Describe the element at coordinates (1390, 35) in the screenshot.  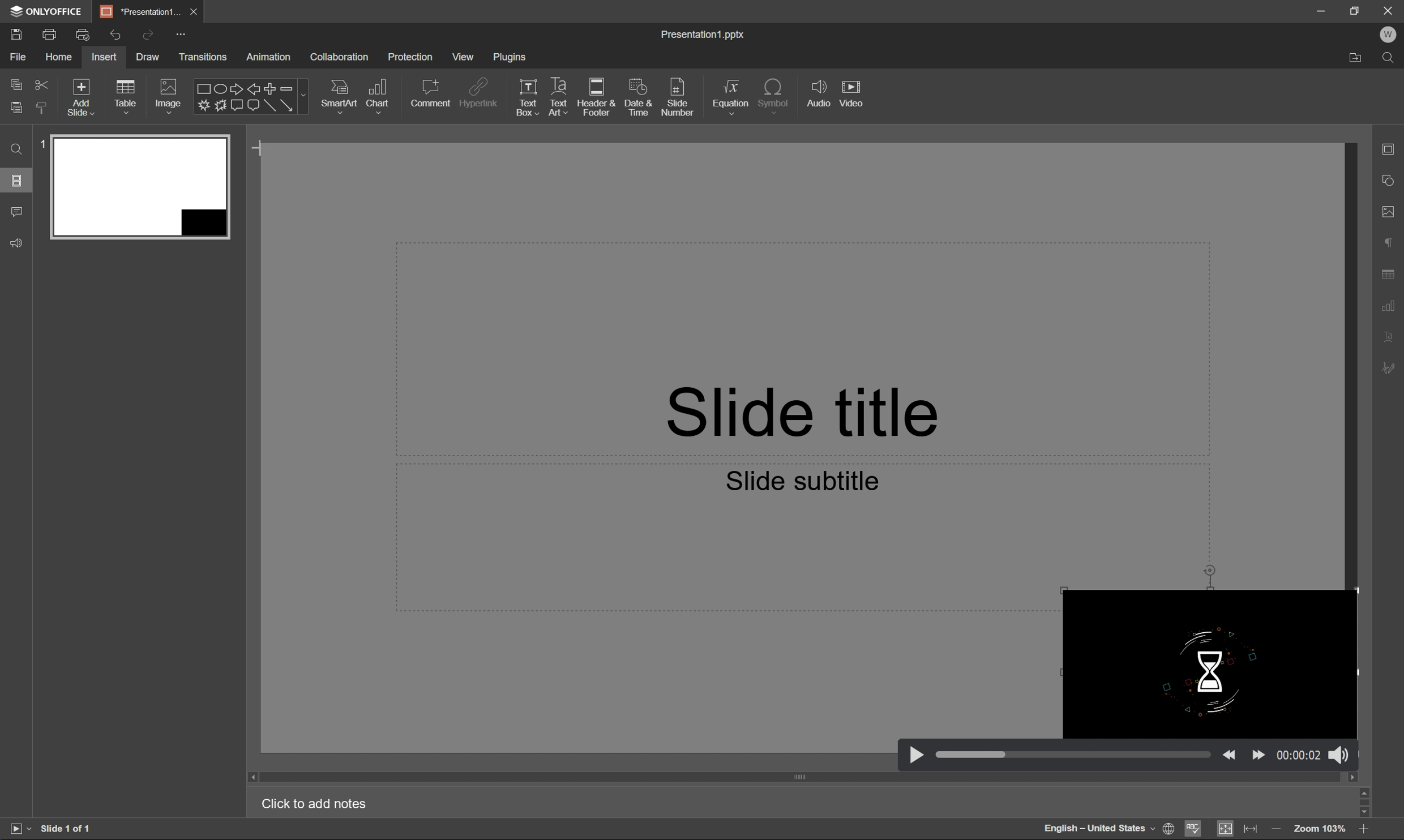
I see `W` at that location.